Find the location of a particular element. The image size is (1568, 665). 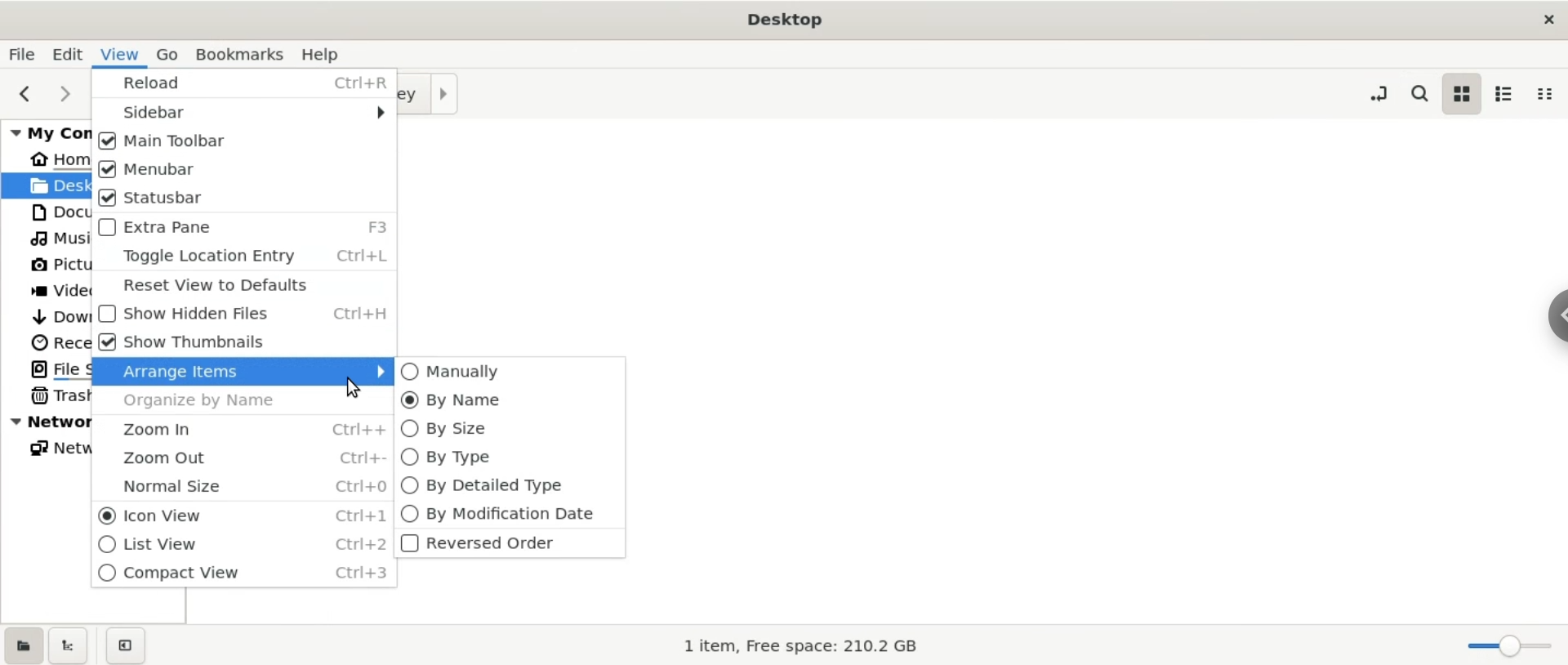

icon view is located at coordinates (242, 517).